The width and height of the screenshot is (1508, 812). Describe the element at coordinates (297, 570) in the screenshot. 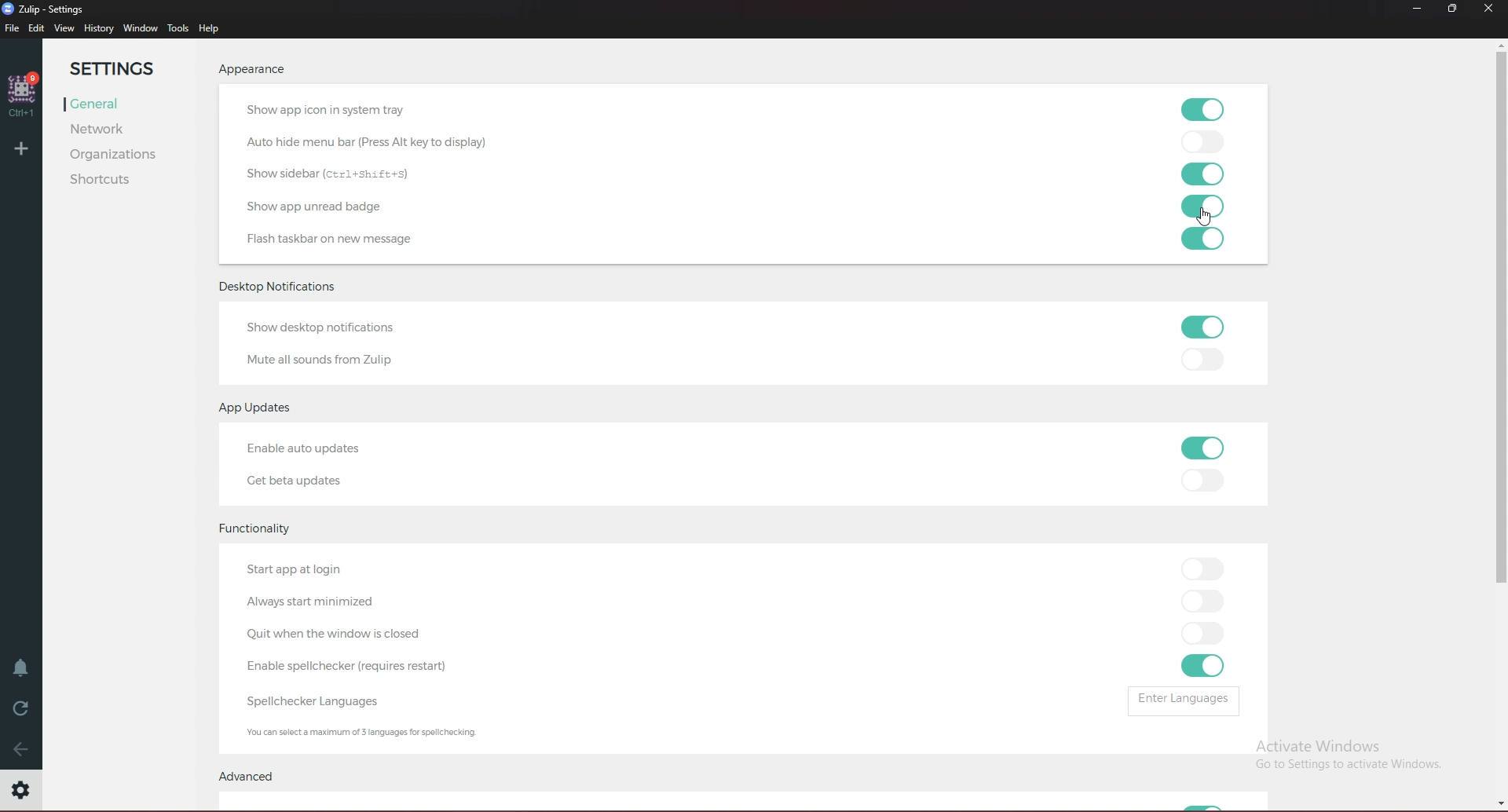

I see `start app at login` at that location.